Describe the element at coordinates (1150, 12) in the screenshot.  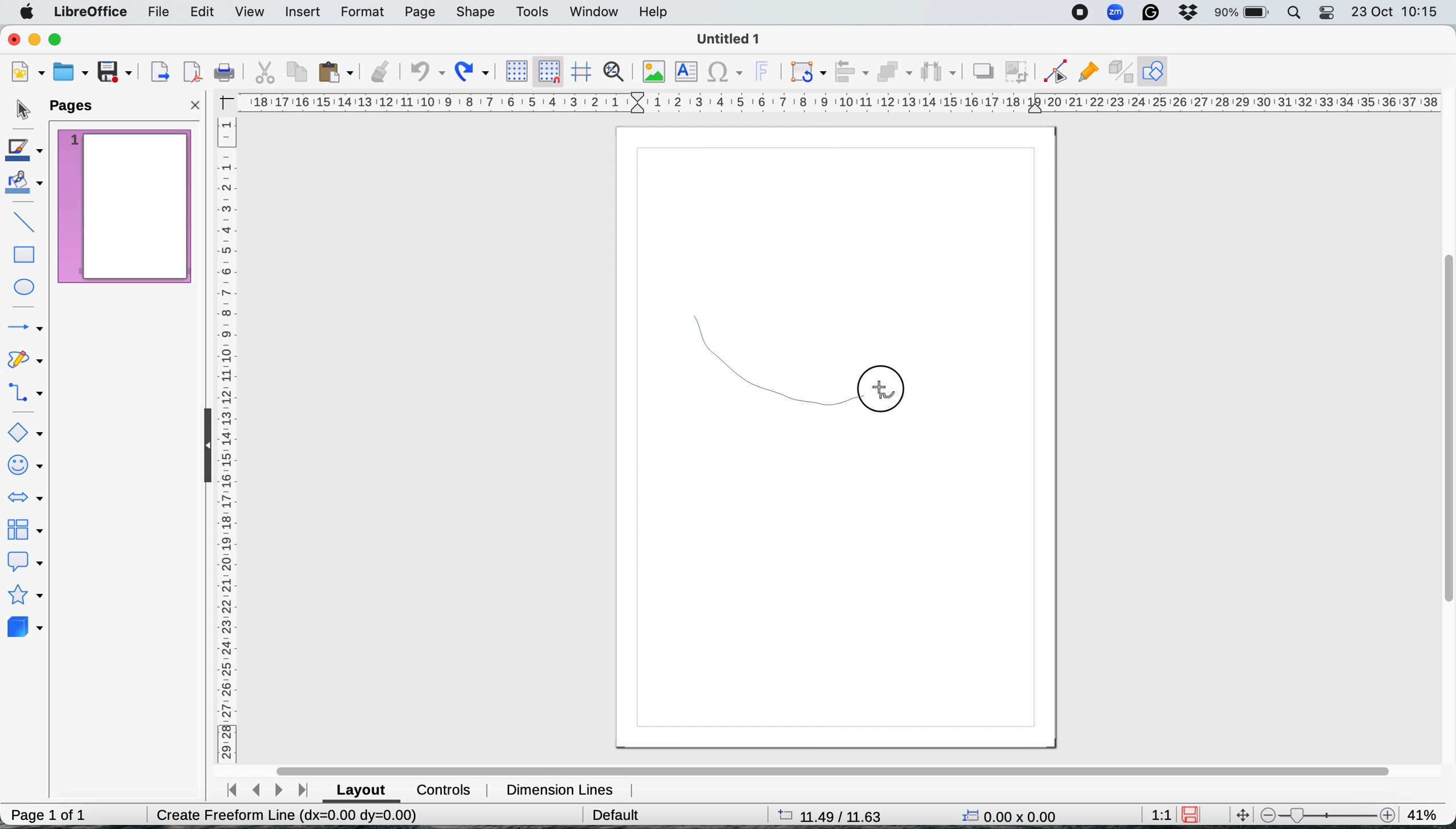
I see `grammarly` at that location.